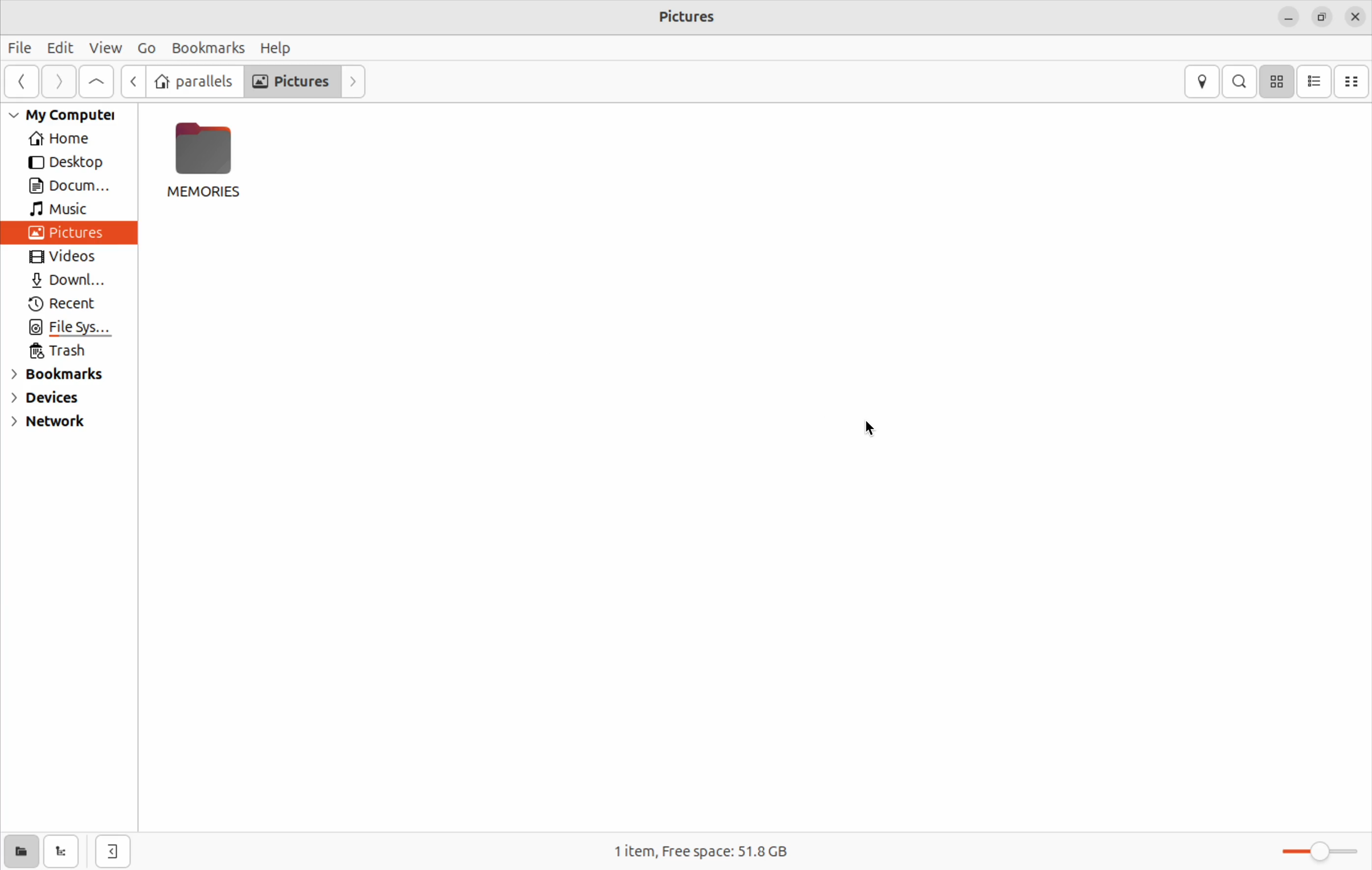 The image size is (1372, 870). I want to click on compact view, so click(1354, 80).